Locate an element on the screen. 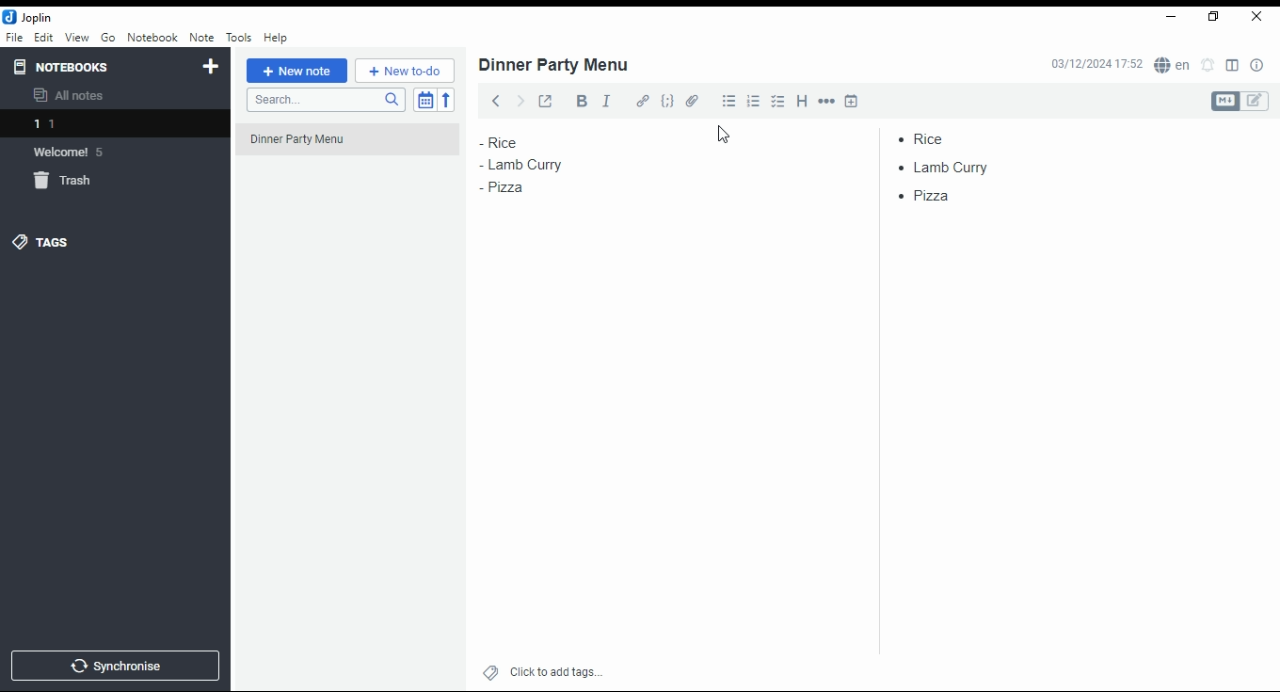 This screenshot has width=1280, height=692. notes properties is located at coordinates (1258, 65).